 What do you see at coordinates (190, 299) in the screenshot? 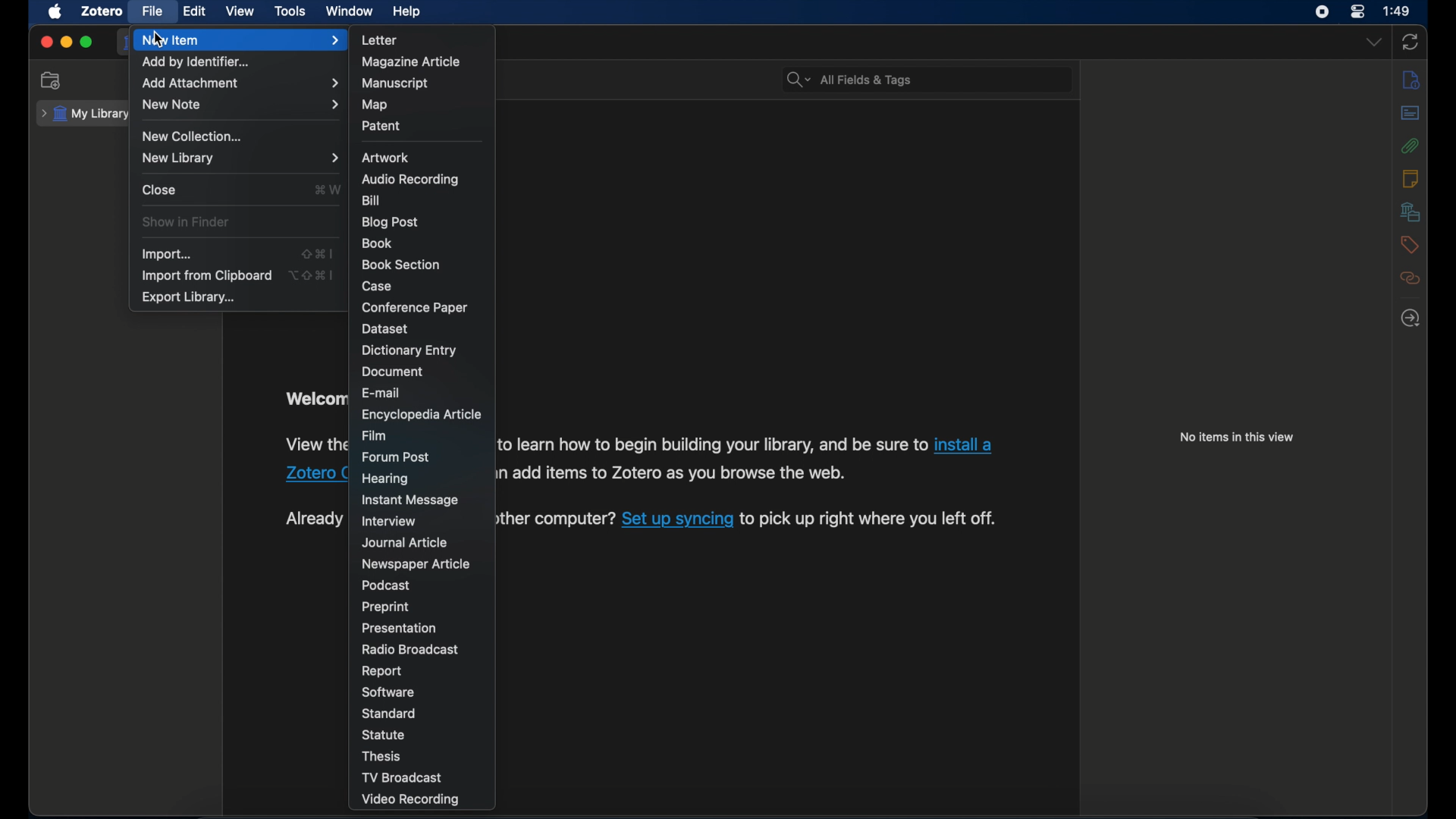
I see `export library` at bounding box center [190, 299].